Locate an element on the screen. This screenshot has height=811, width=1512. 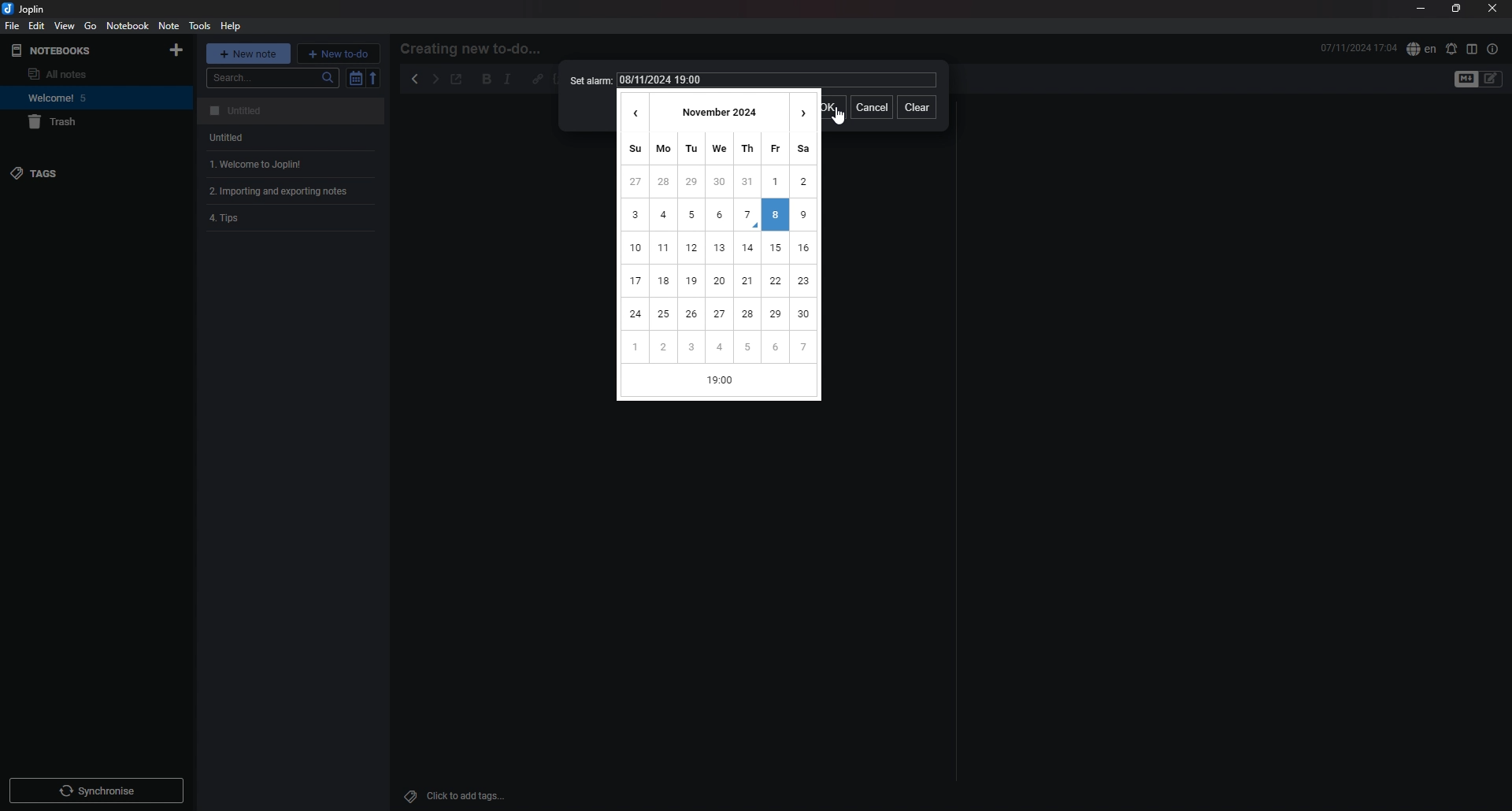
note is located at coordinates (169, 26).